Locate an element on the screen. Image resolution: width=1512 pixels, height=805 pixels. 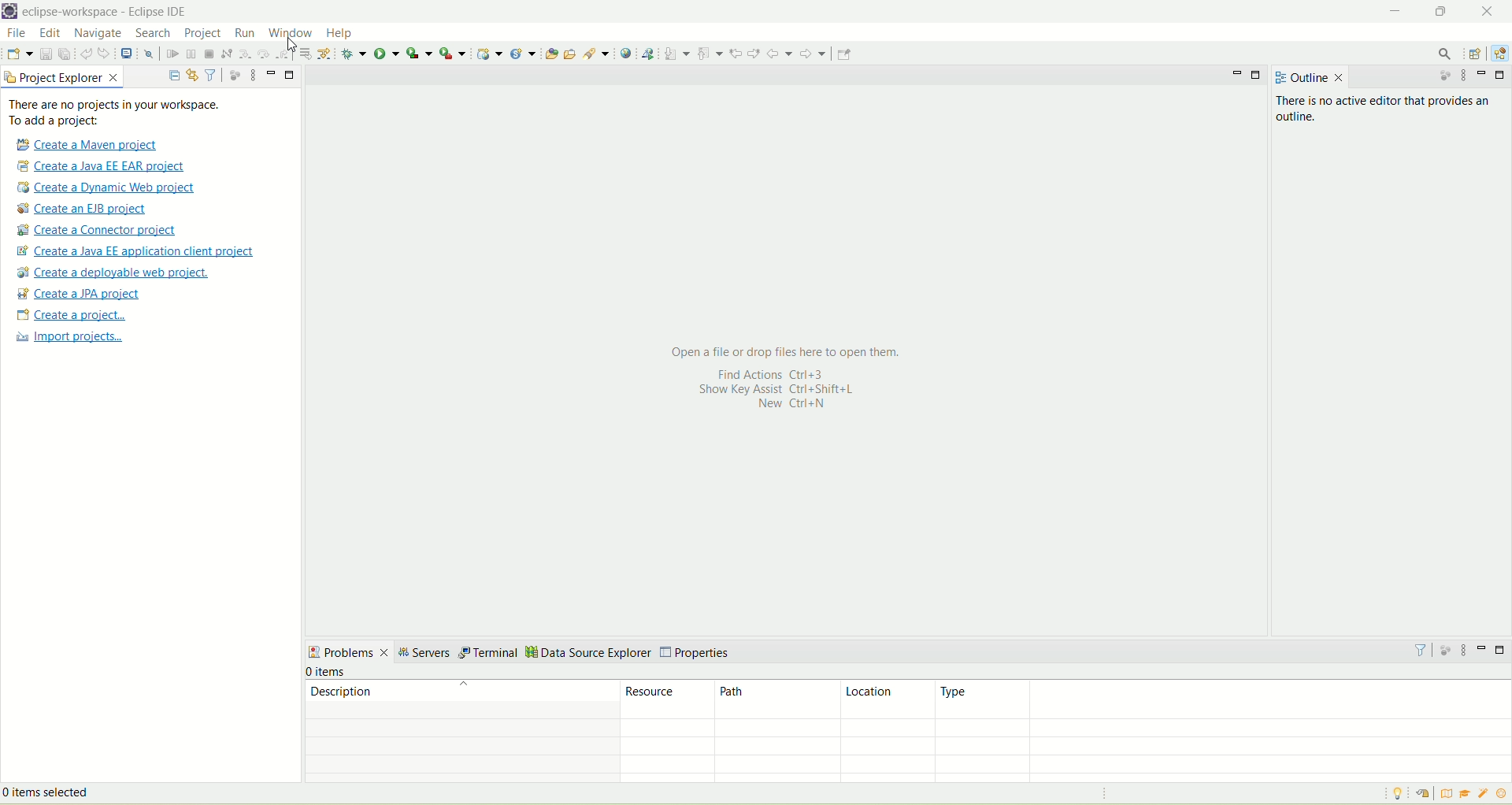
minimize is located at coordinates (1482, 647).